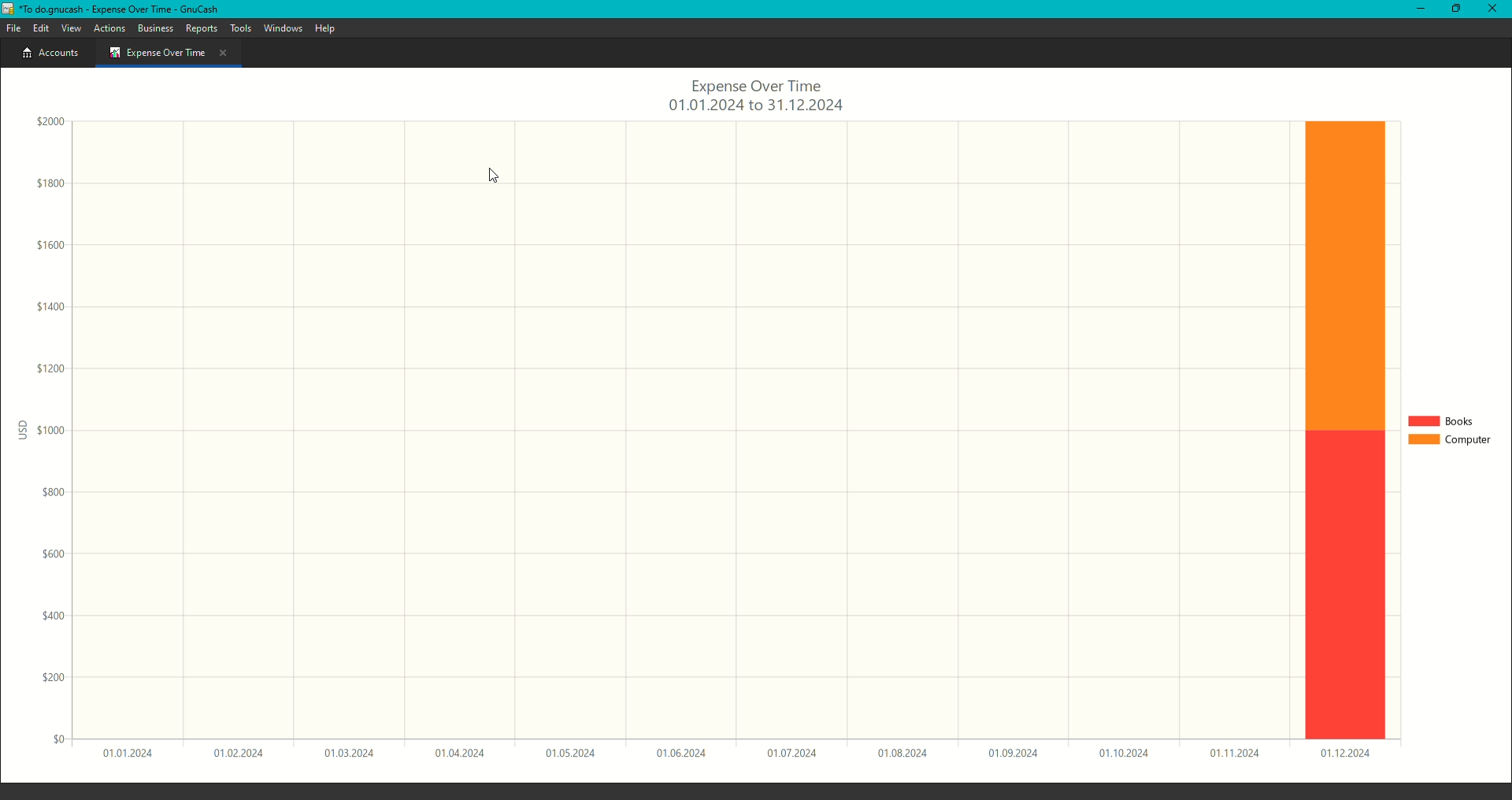 This screenshot has width=1512, height=800. What do you see at coordinates (1417, 10) in the screenshot?
I see `Minimize` at bounding box center [1417, 10].